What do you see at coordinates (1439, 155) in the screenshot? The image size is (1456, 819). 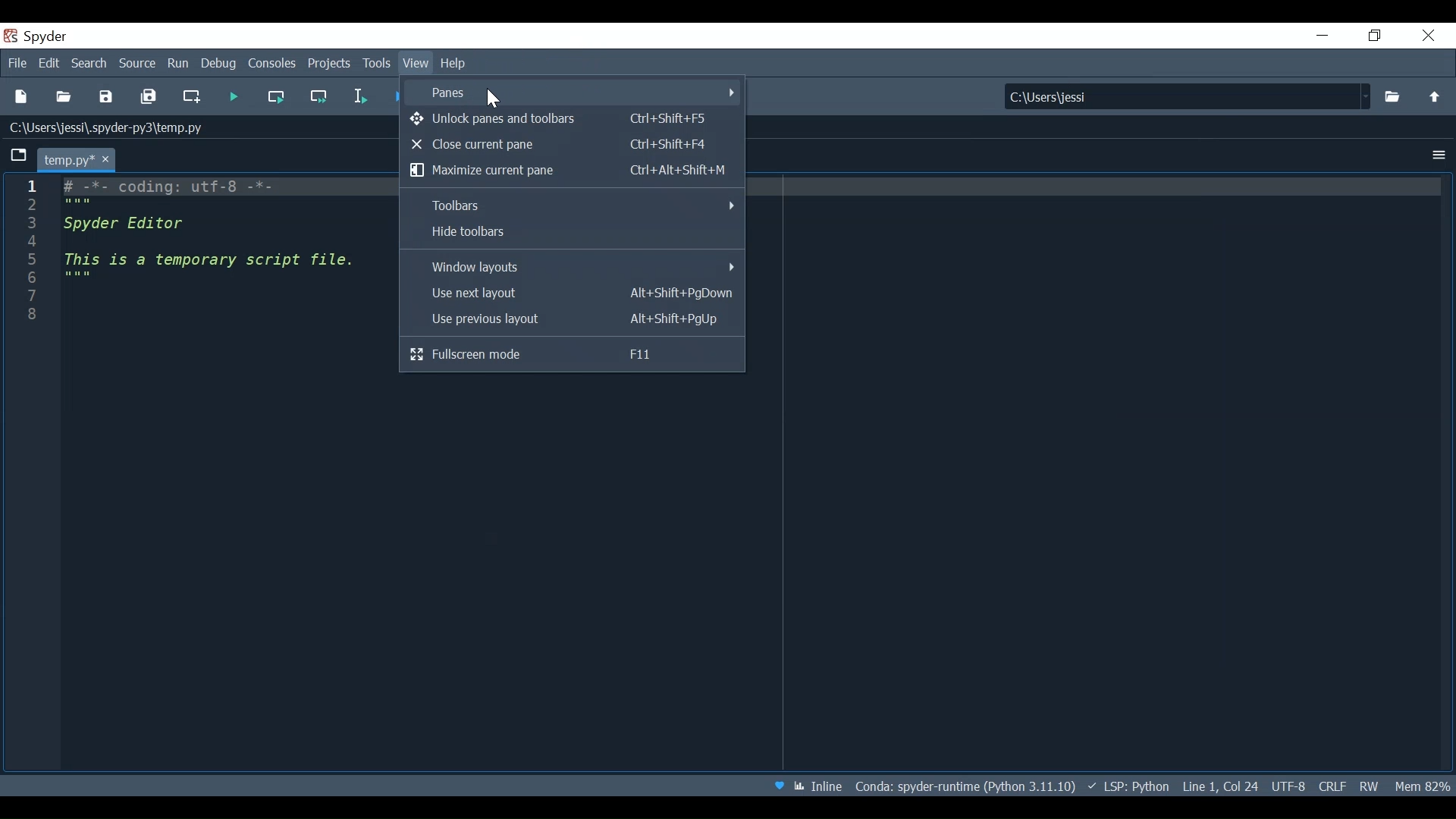 I see `Options` at bounding box center [1439, 155].